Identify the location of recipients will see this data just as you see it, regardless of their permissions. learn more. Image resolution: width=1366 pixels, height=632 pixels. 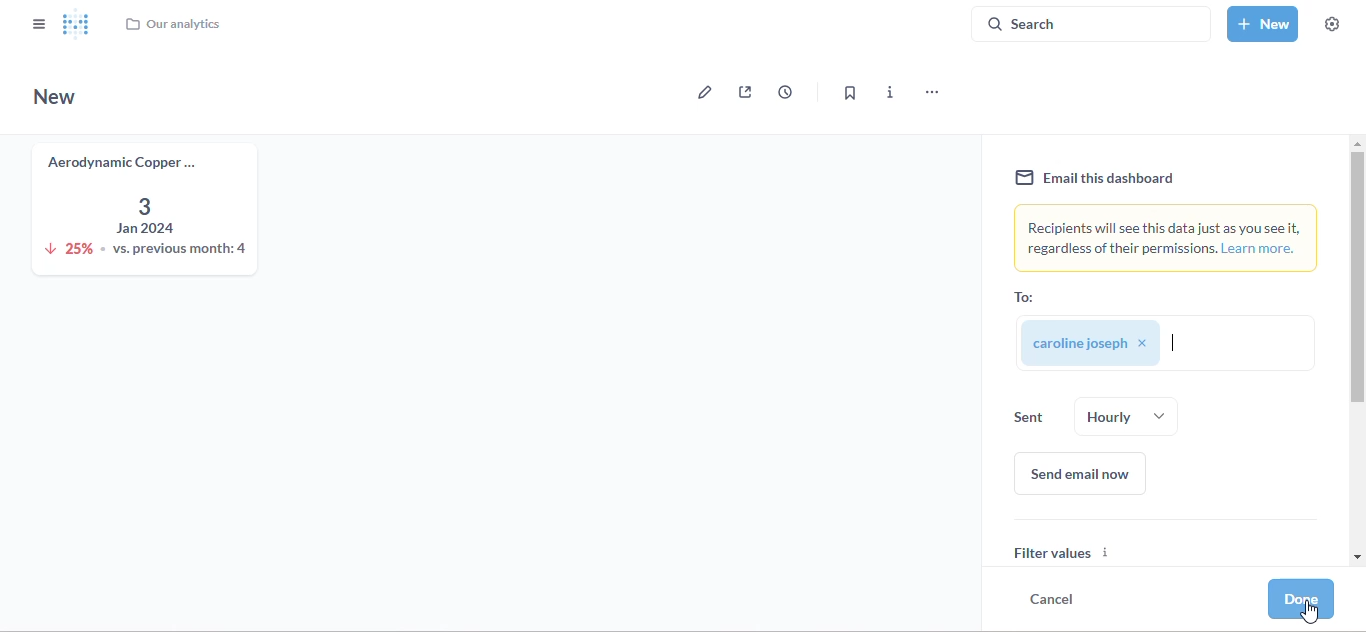
(1167, 238).